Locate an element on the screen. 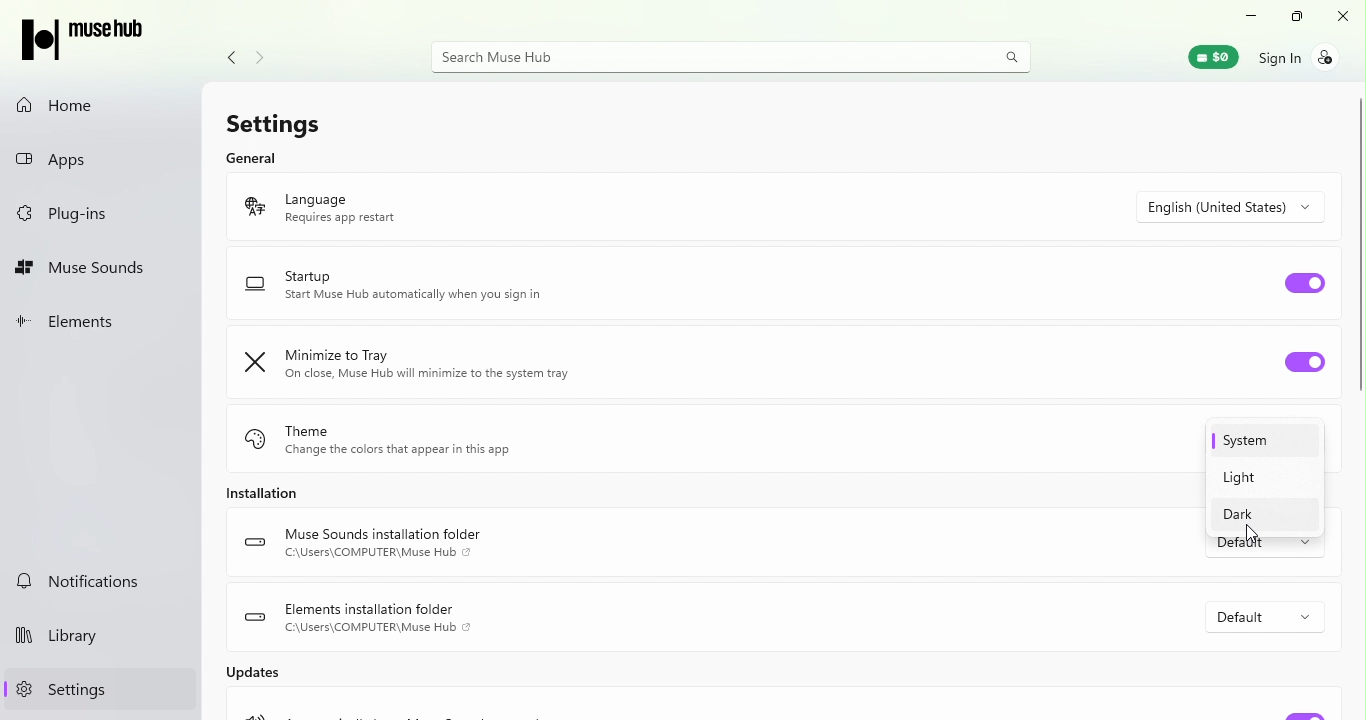 The height and width of the screenshot is (720, 1366). Search bar is located at coordinates (732, 60).